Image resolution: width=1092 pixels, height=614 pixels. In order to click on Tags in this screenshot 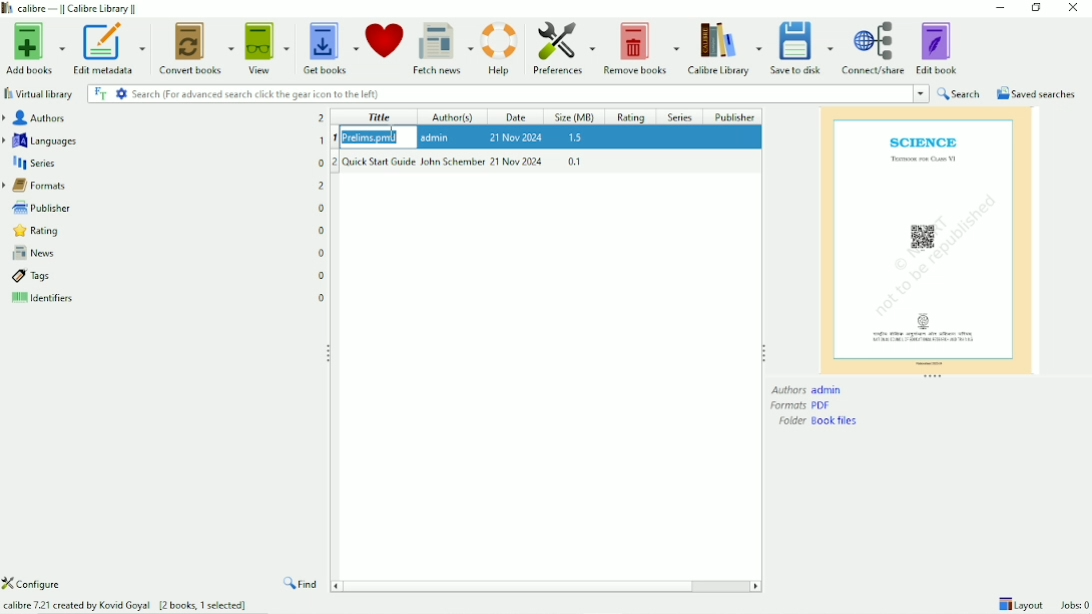, I will do `click(28, 277)`.